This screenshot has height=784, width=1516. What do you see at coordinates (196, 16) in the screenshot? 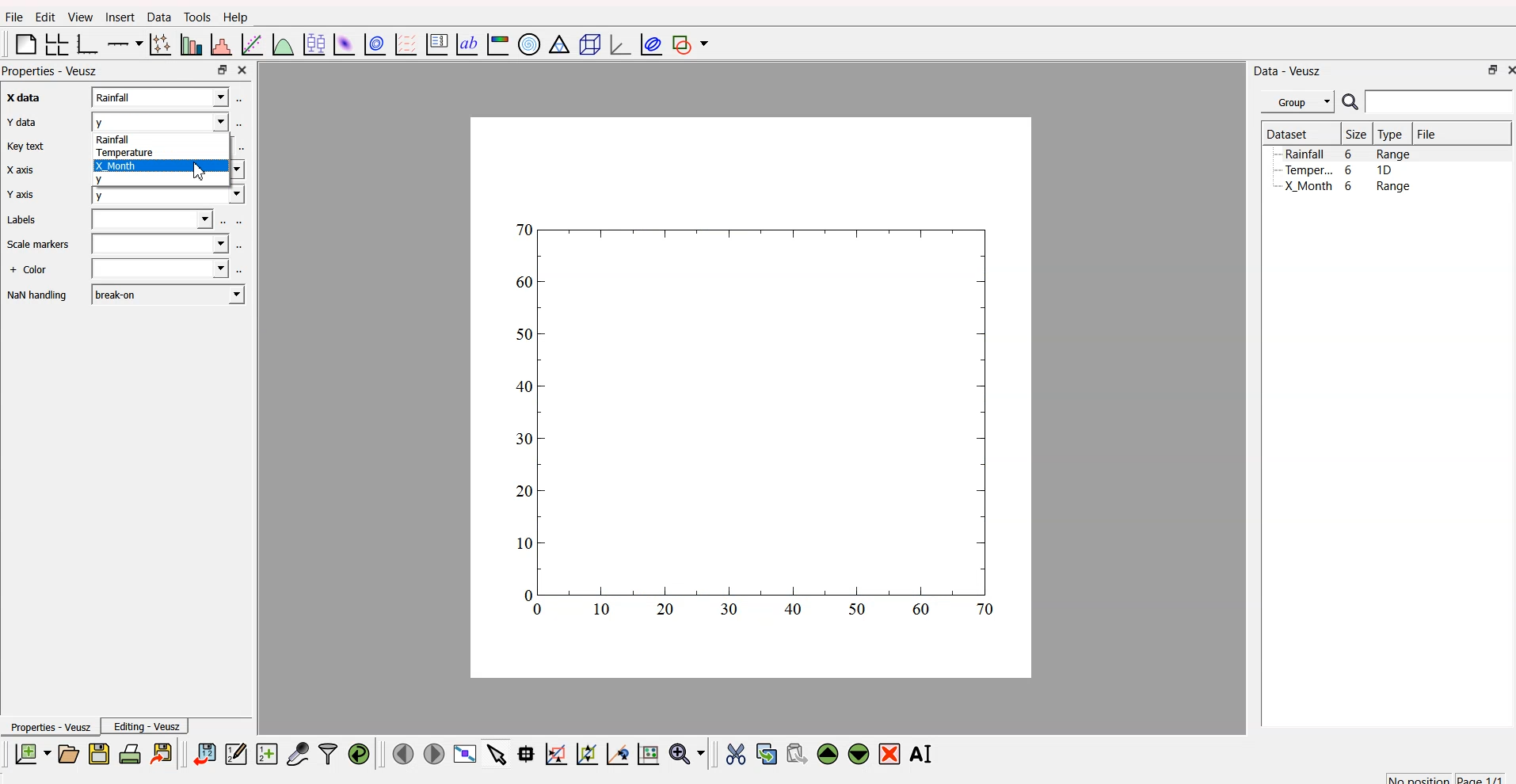
I see `Tools` at bounding box center [196, 16].